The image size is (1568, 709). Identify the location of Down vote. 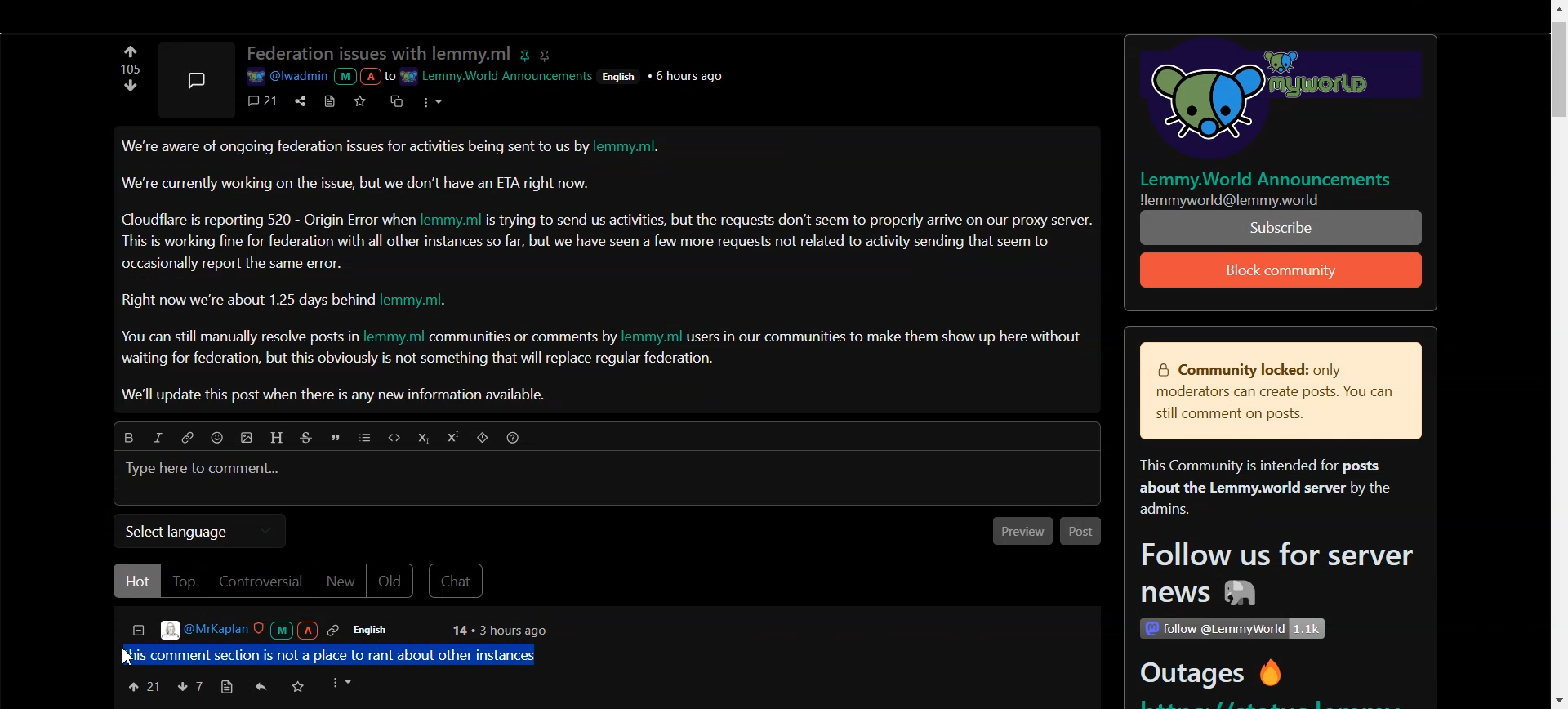
(131, 51).